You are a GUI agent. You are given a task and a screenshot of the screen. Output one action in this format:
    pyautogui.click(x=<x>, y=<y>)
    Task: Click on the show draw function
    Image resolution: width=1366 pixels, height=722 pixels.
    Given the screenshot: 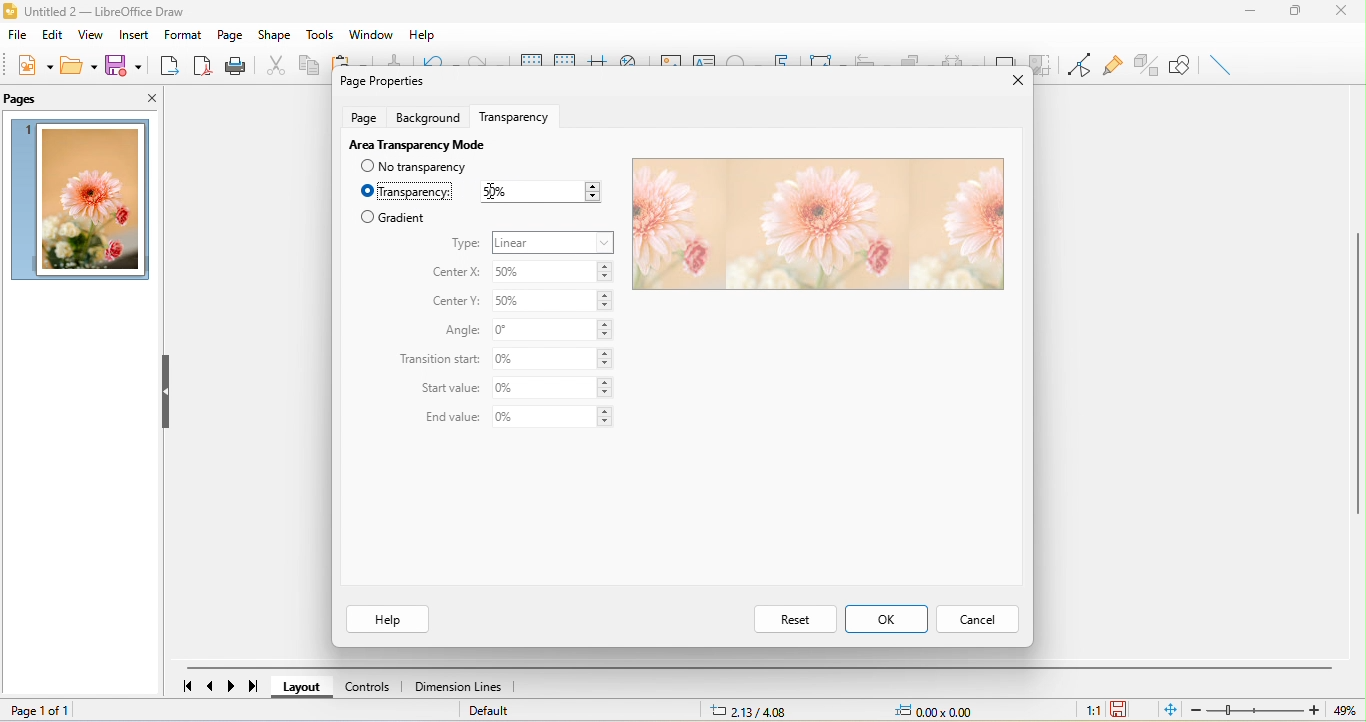 What is the action you would take?
    pyautogui.click(x=1181, y=65)
    